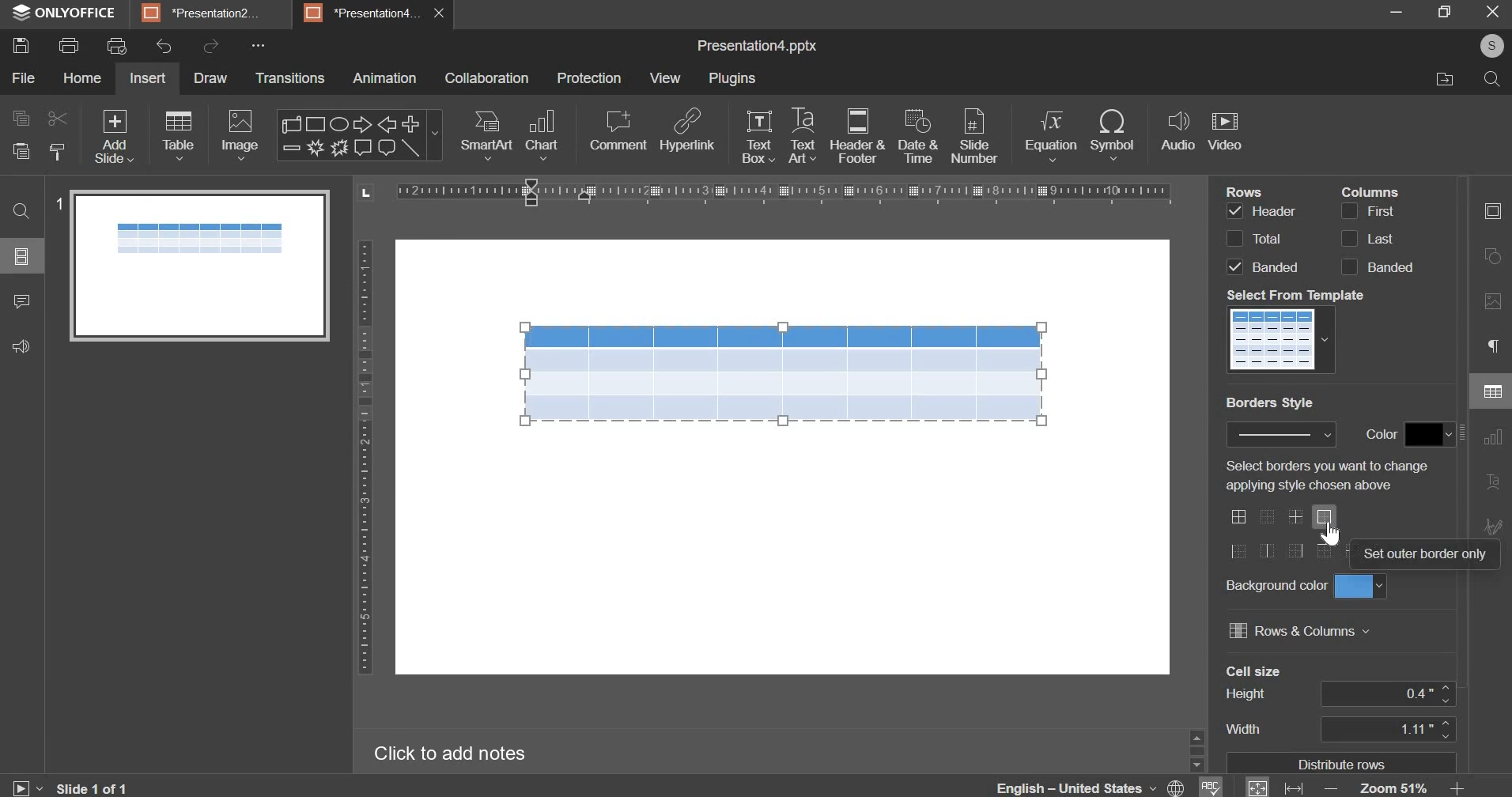 The width and height of the screenshot is (1512, 797). What do you see at coordinates (24, 788) in the screenshot?
I see `slideshow` at bounding box center [24, 788].